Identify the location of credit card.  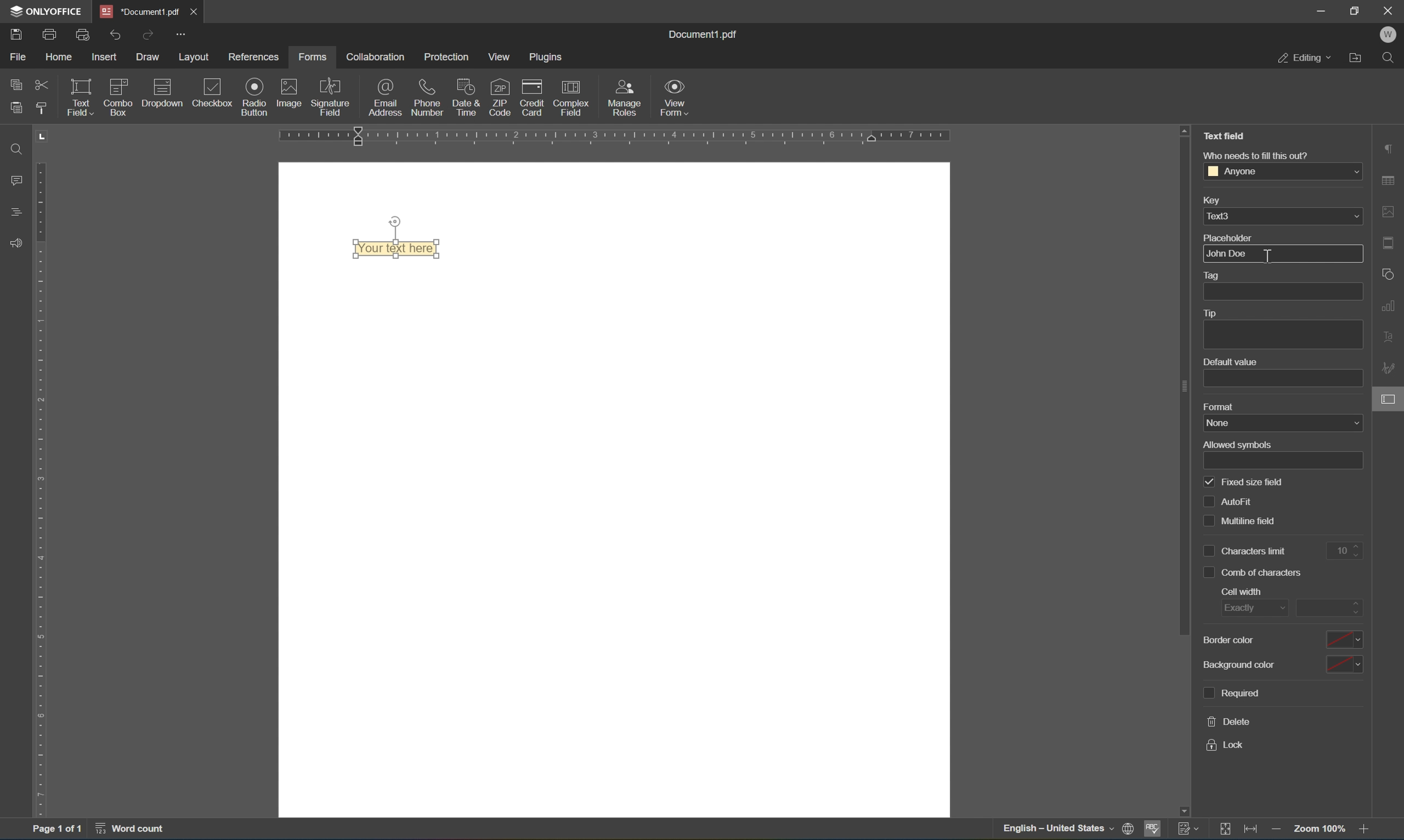
(533, 96).